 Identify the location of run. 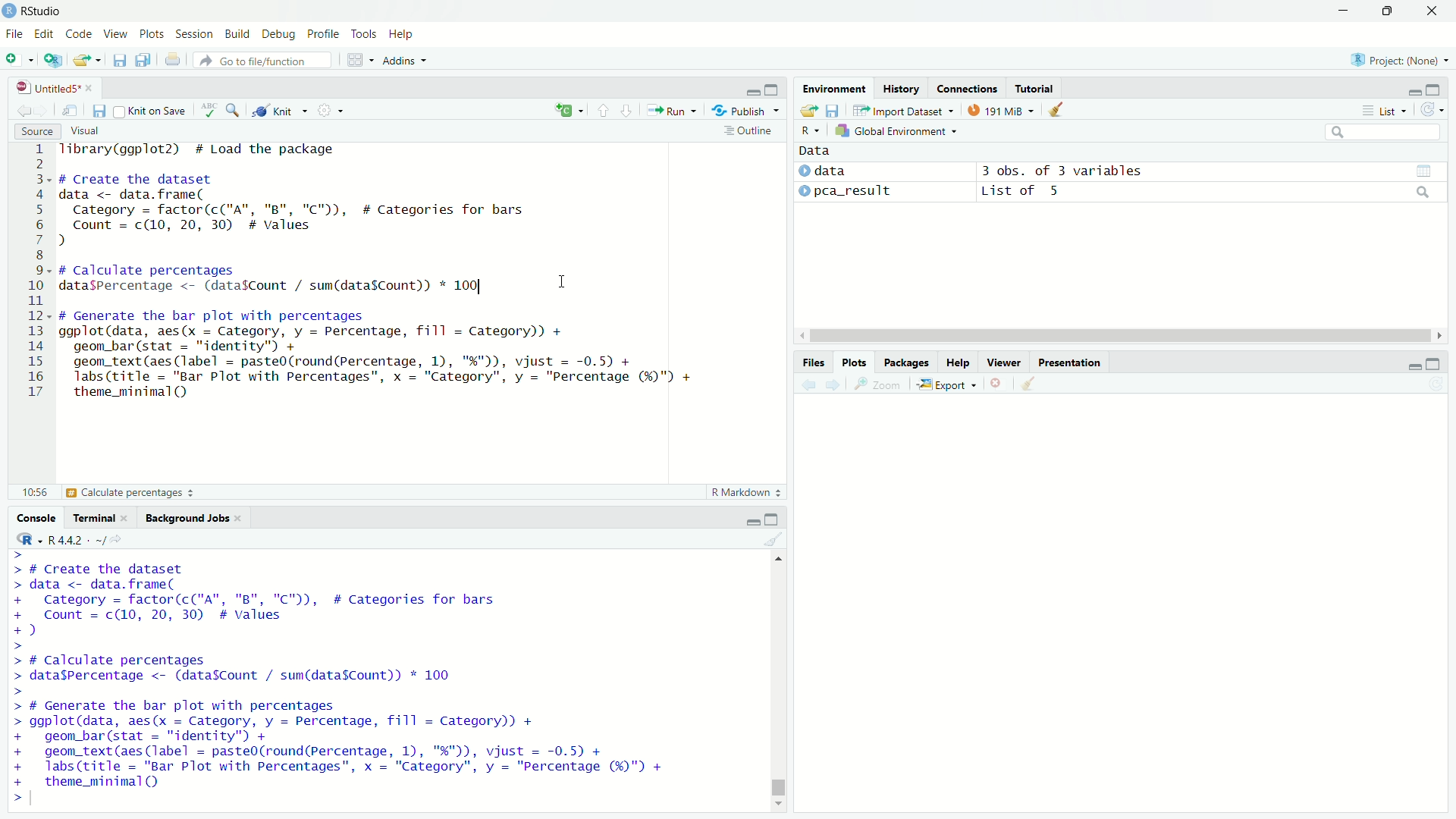
(669, 111).